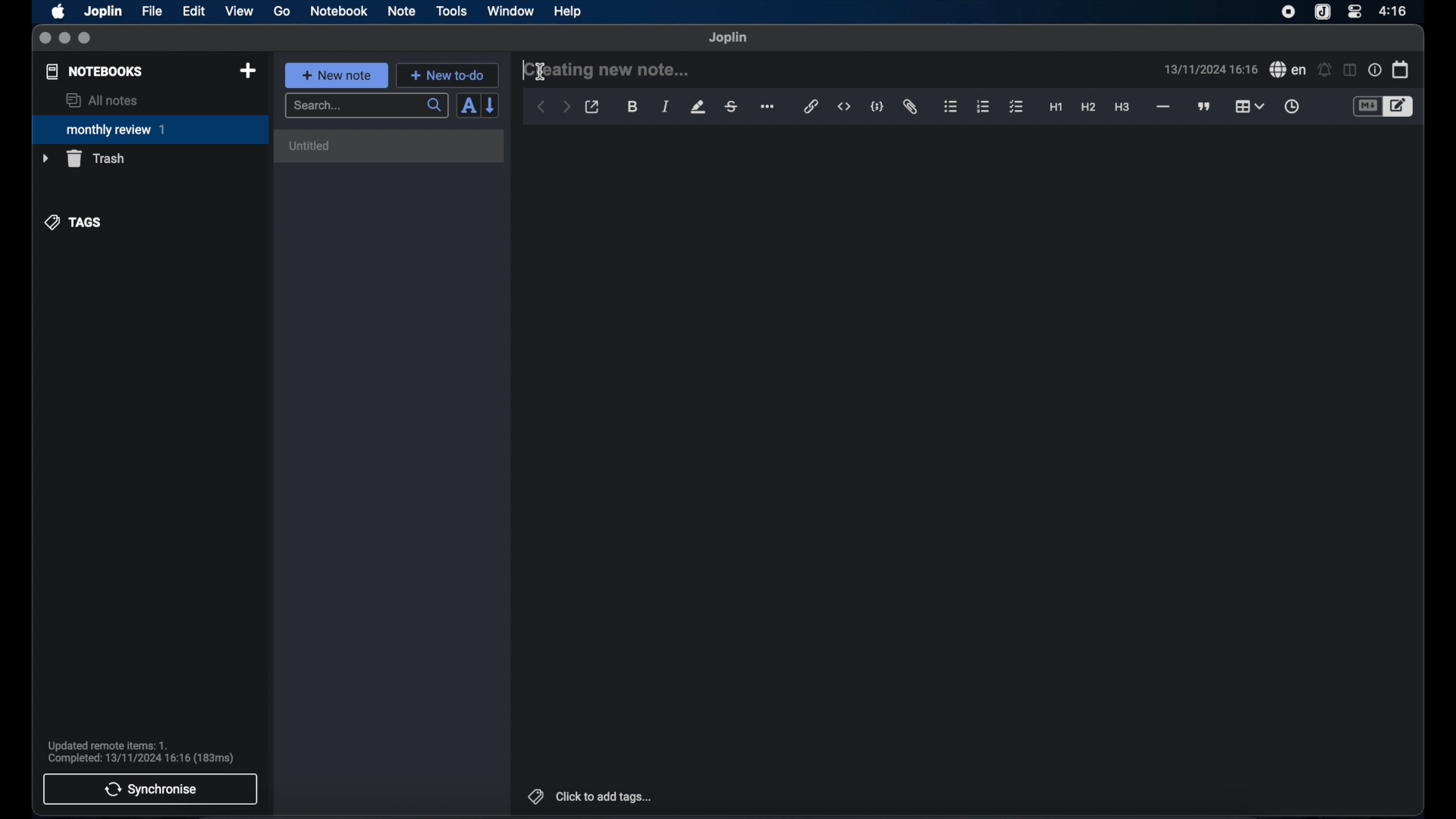  I want to click on maximize, so click(86, 39).